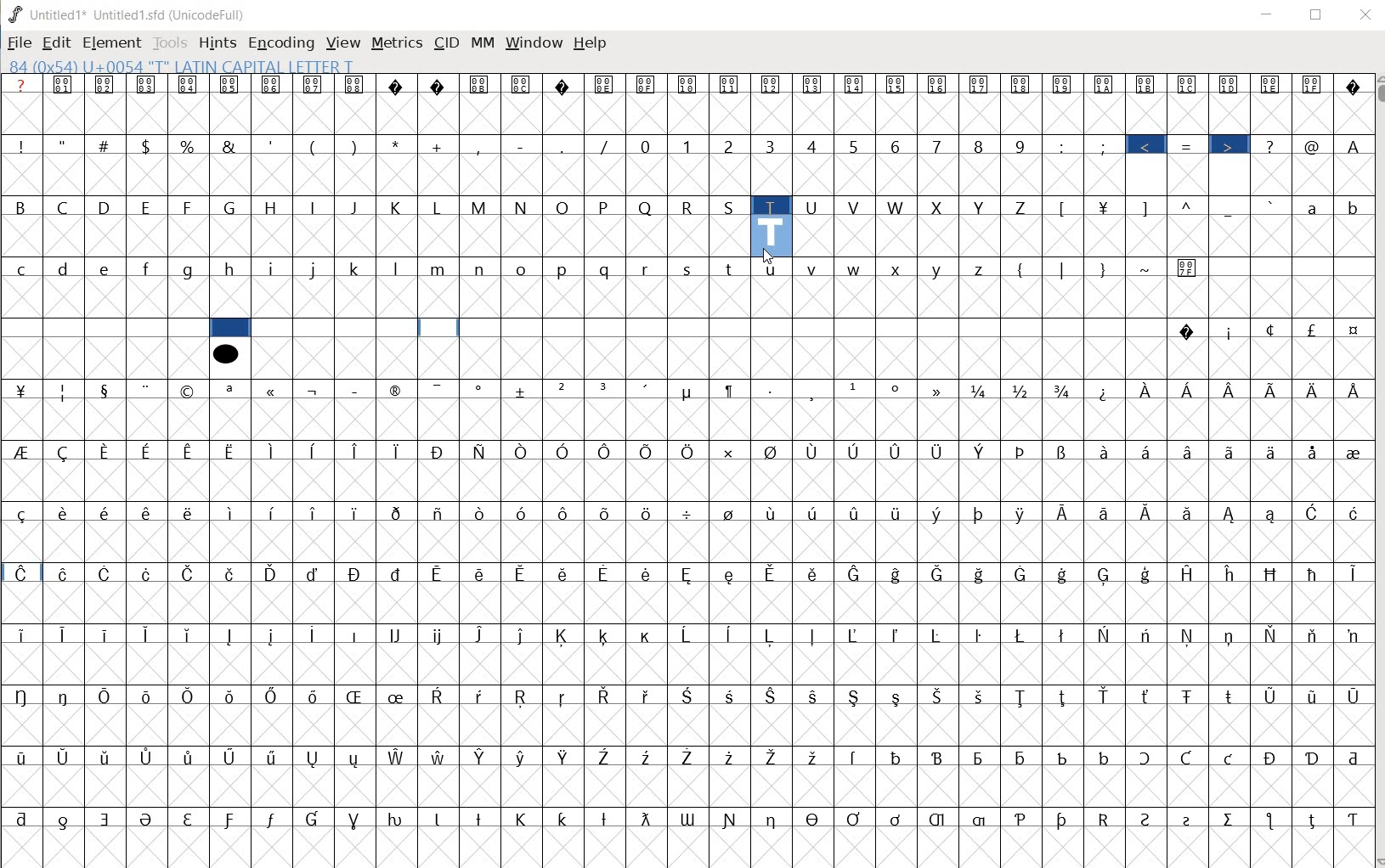  Describe the element at coordinates (856, 817) in the screenshot. I see `Symbol` at that location.